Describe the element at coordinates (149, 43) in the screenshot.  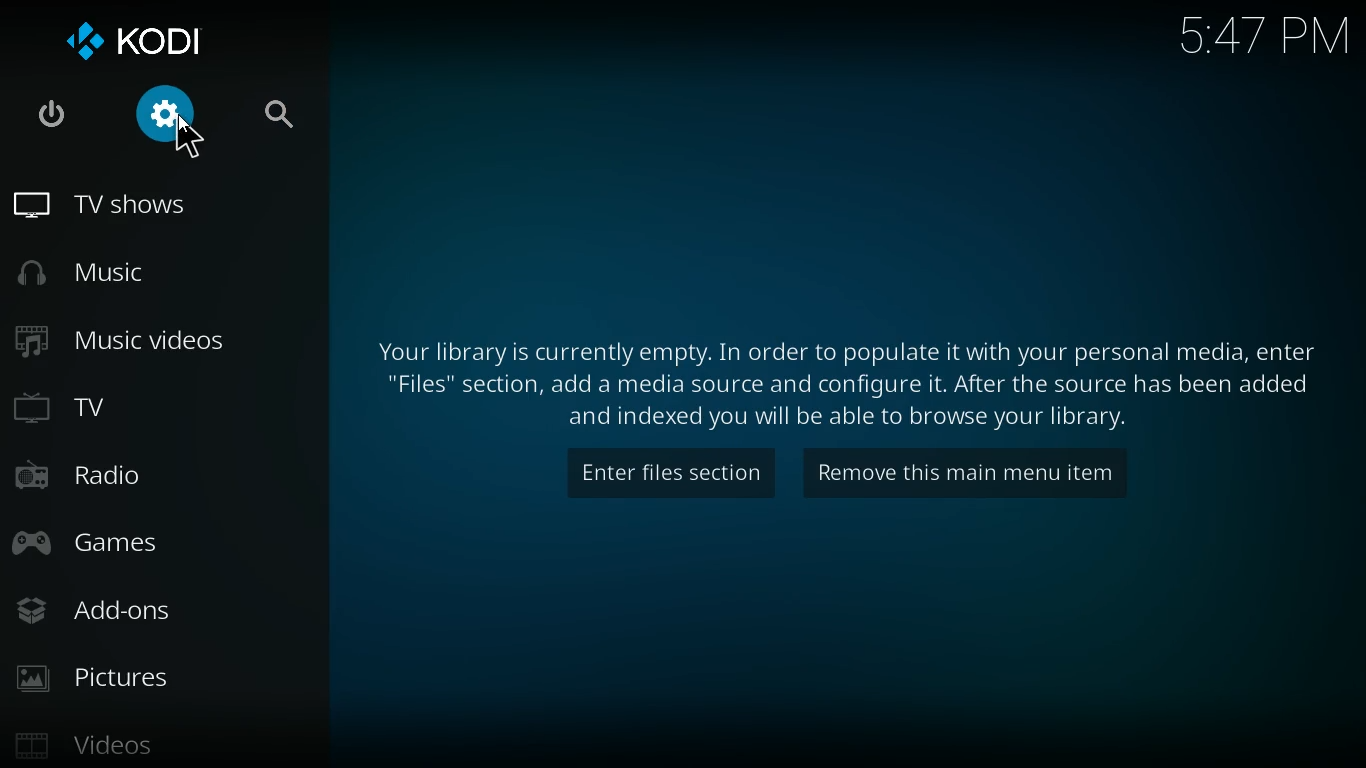
I see `kodi logo` at that location.